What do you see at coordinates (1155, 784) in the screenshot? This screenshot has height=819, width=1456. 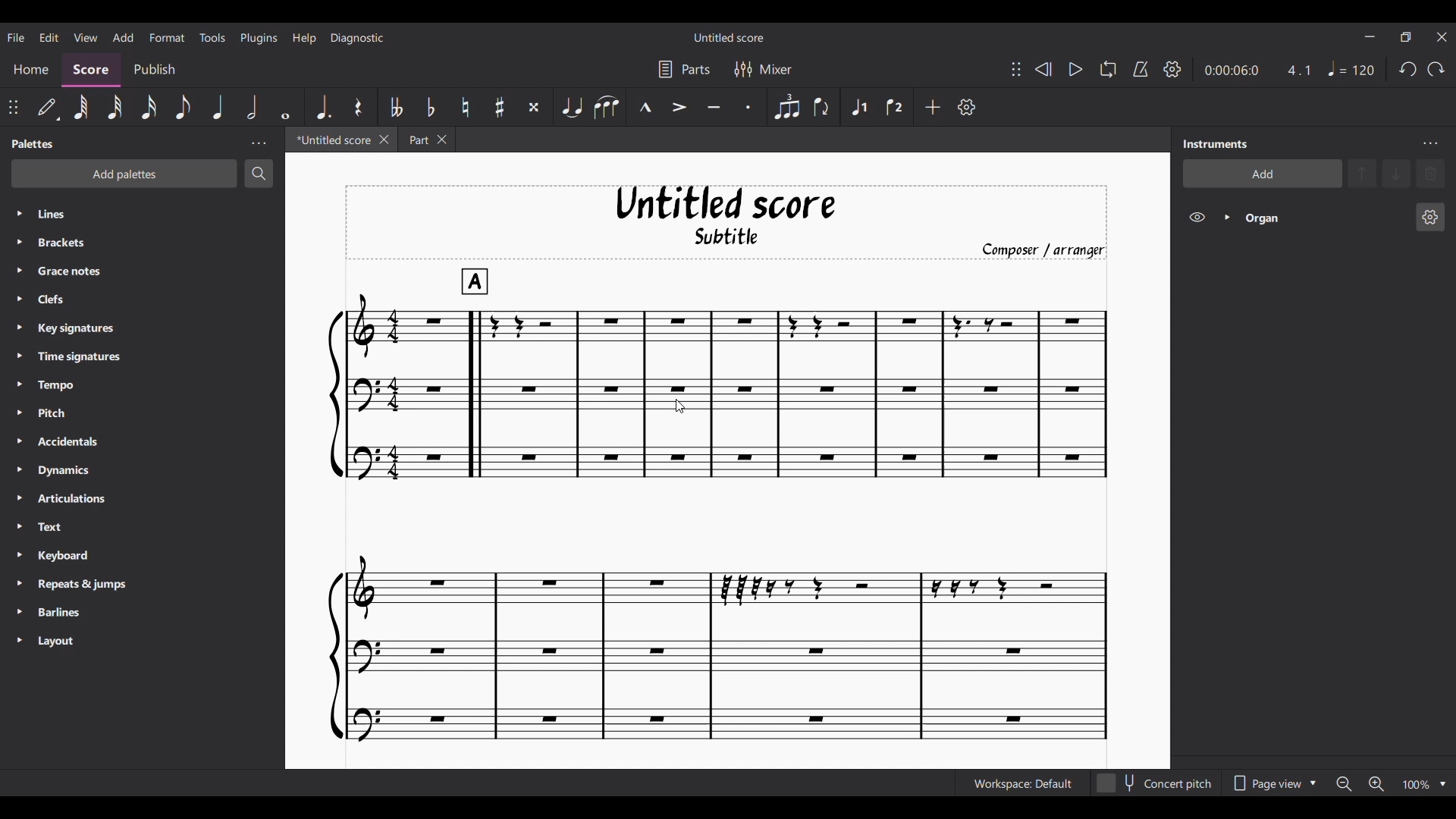 I see `Toggle for Concert pitch` at bounding box center [1155, 784].